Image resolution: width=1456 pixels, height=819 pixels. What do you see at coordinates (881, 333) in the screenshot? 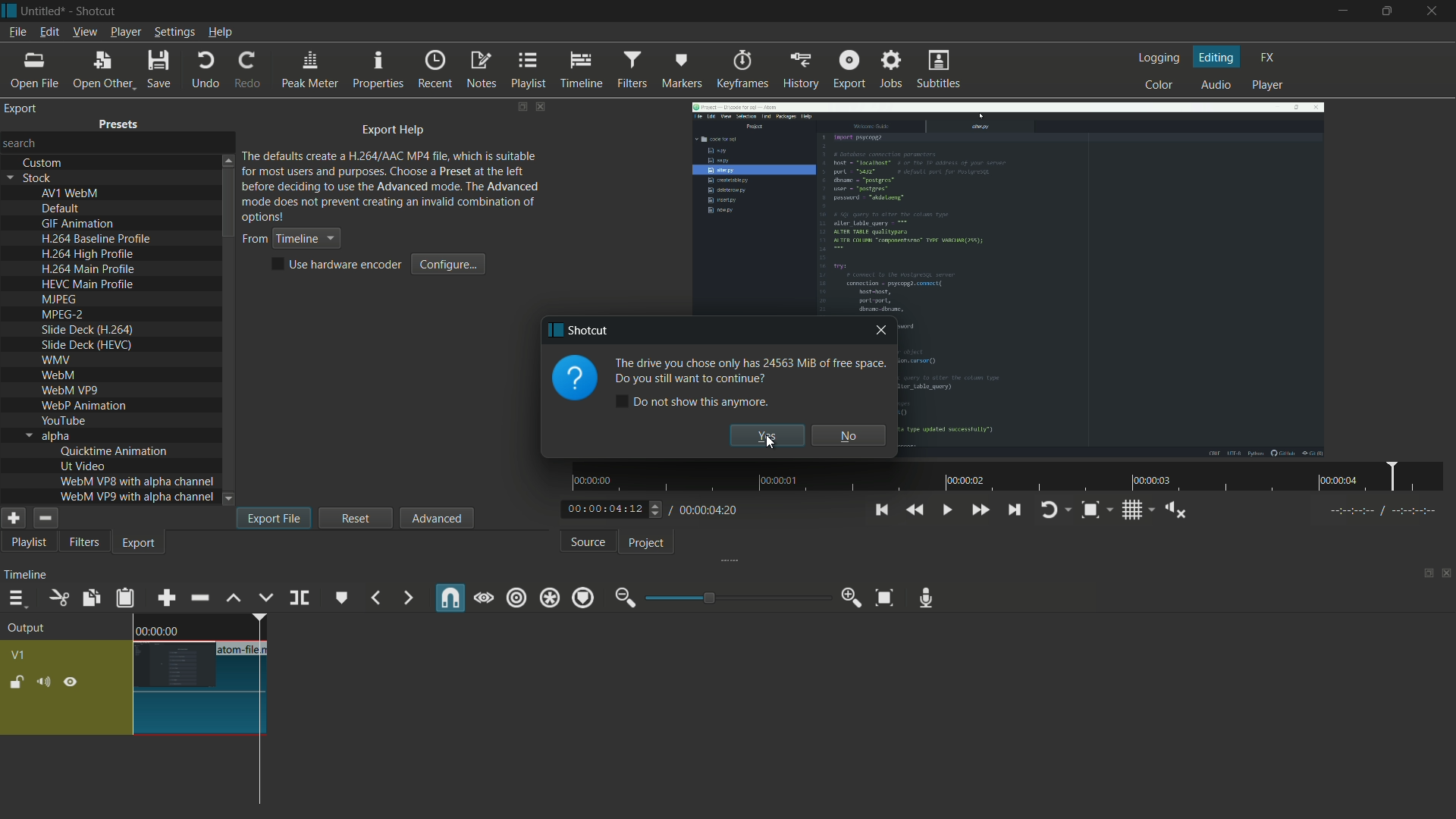
I see `close window` at bounding box center [881, 333].